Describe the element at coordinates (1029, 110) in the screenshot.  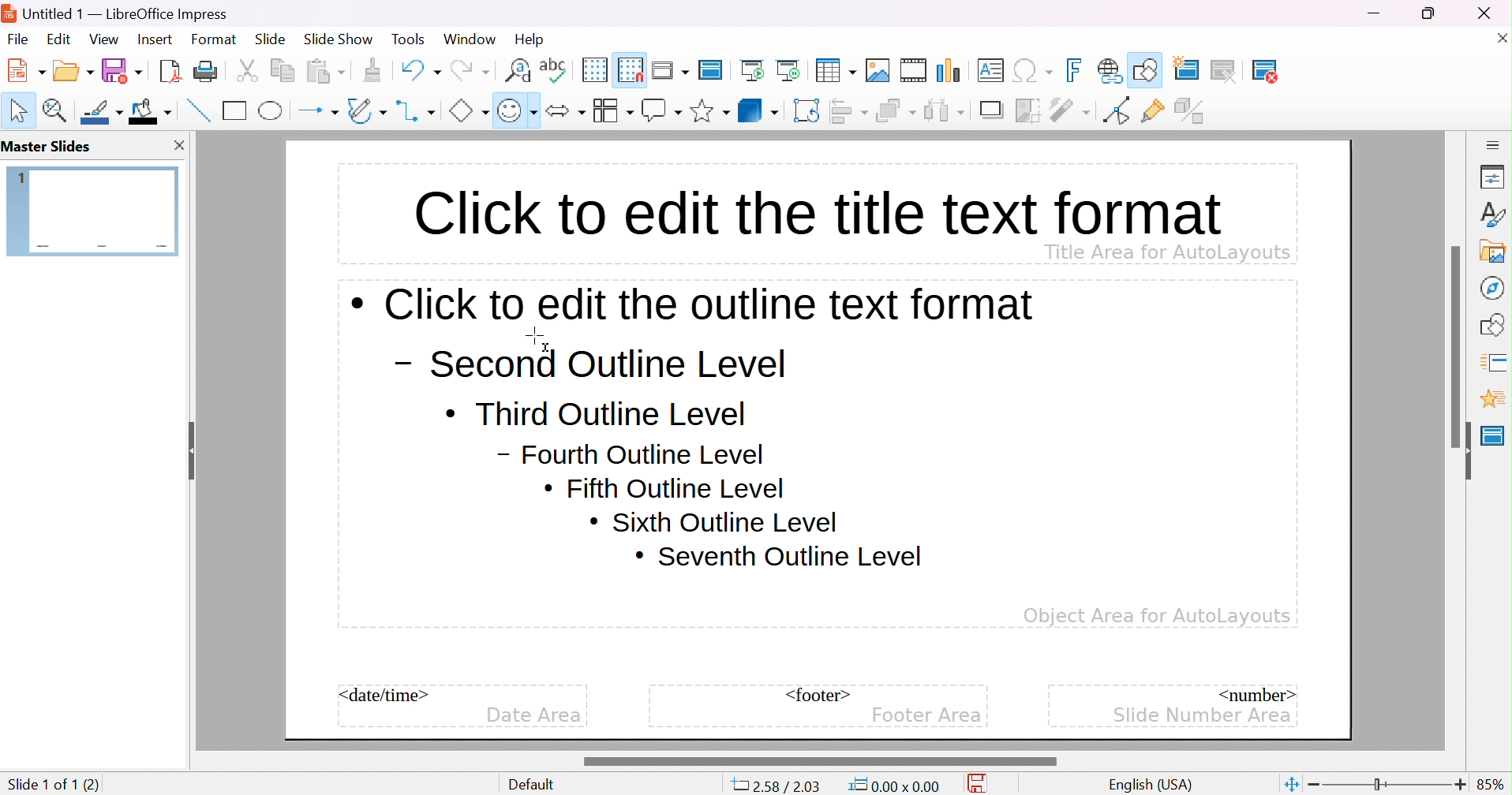
I see `crop image` at that location.